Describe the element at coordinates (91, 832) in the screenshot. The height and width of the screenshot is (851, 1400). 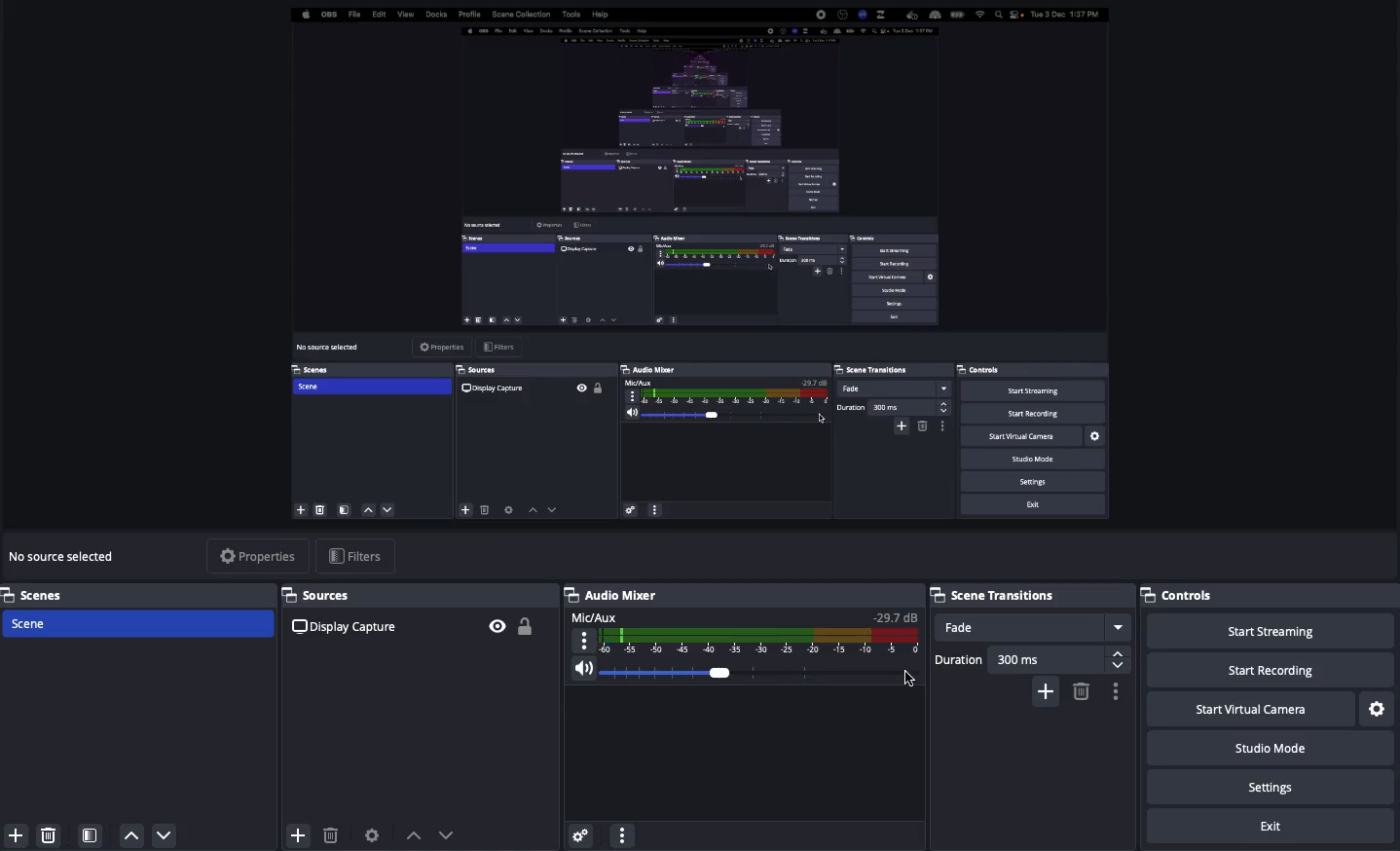
I see `Scene filters` at that location.